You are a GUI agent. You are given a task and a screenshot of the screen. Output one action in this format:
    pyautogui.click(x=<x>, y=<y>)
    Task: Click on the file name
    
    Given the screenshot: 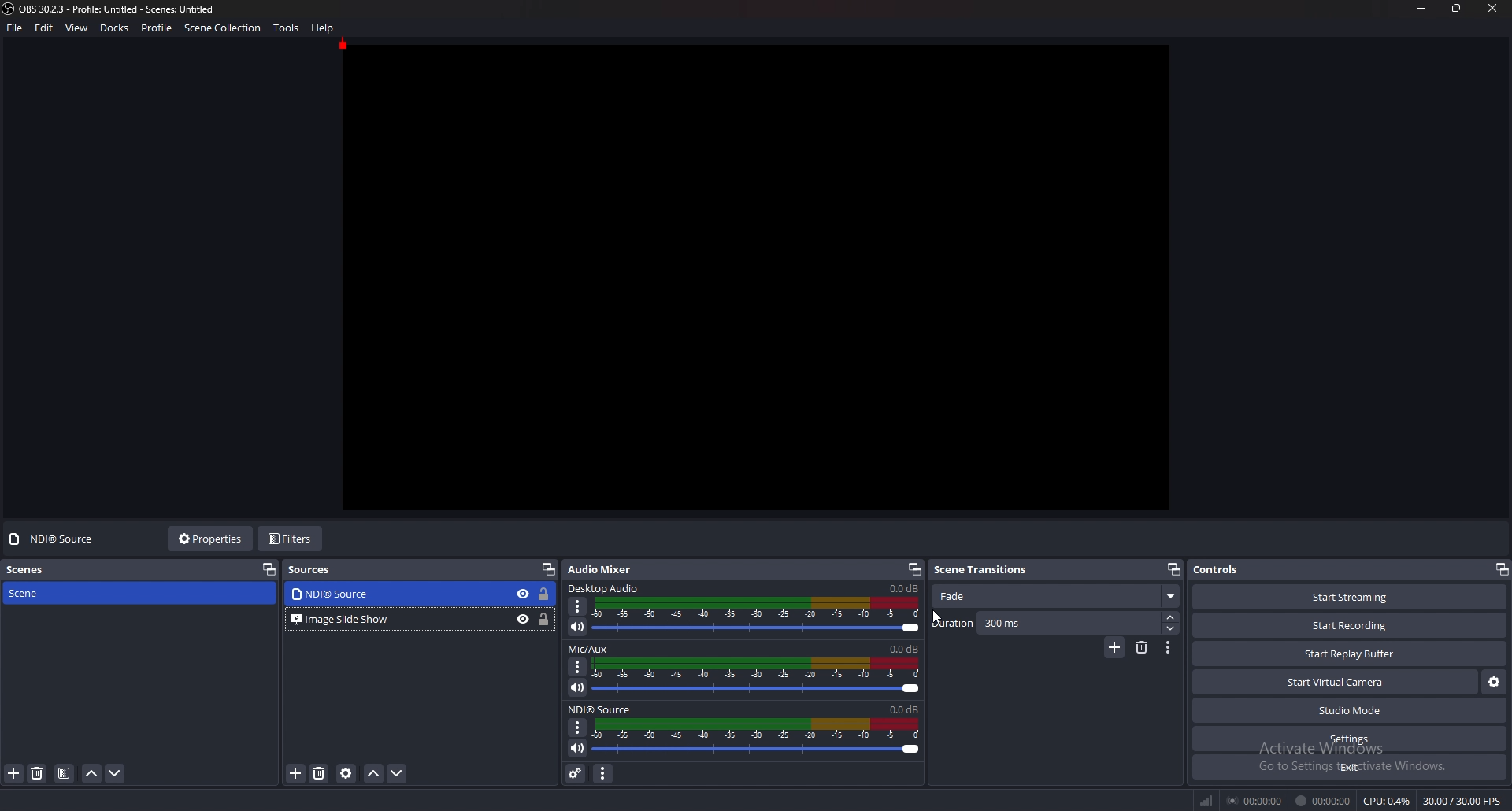 What is the action you would take?
    pyautogui.click(x=110, y=9)
    